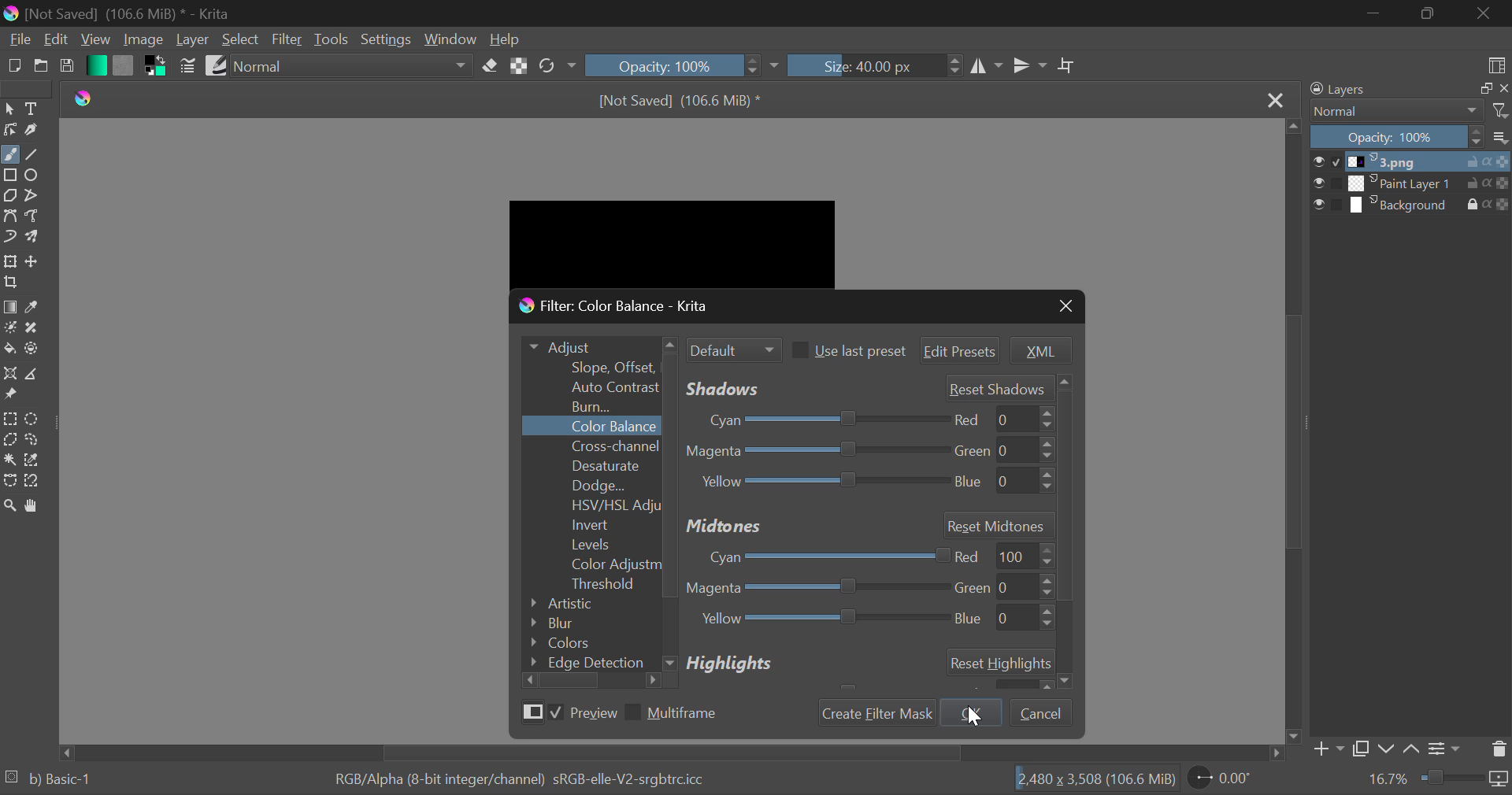  Describe the element at coordinates (1365, 749) in the screenshot. I see `Copy Layer` at that location.